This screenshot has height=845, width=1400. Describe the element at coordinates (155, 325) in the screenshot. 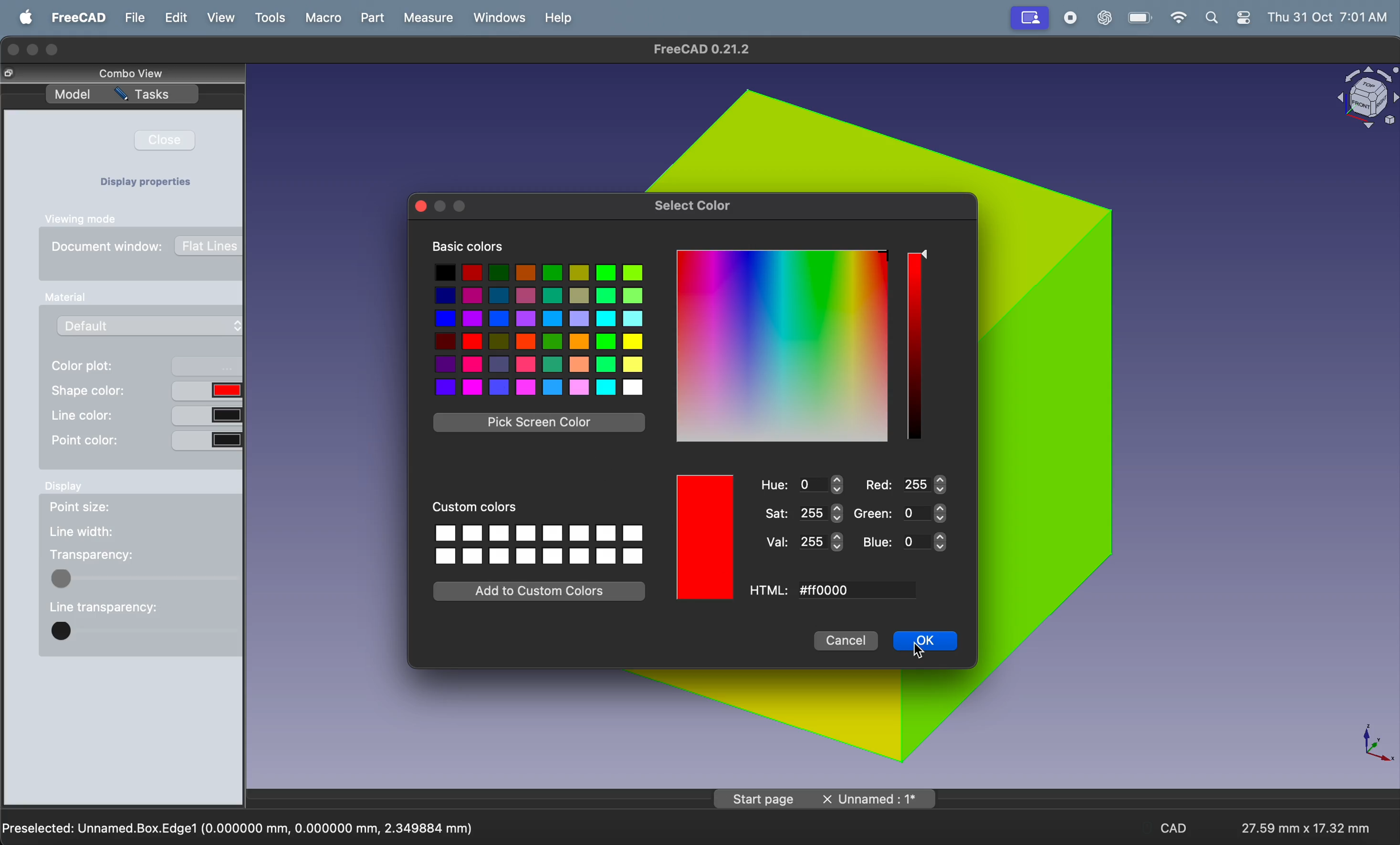

I see `default` at that location.